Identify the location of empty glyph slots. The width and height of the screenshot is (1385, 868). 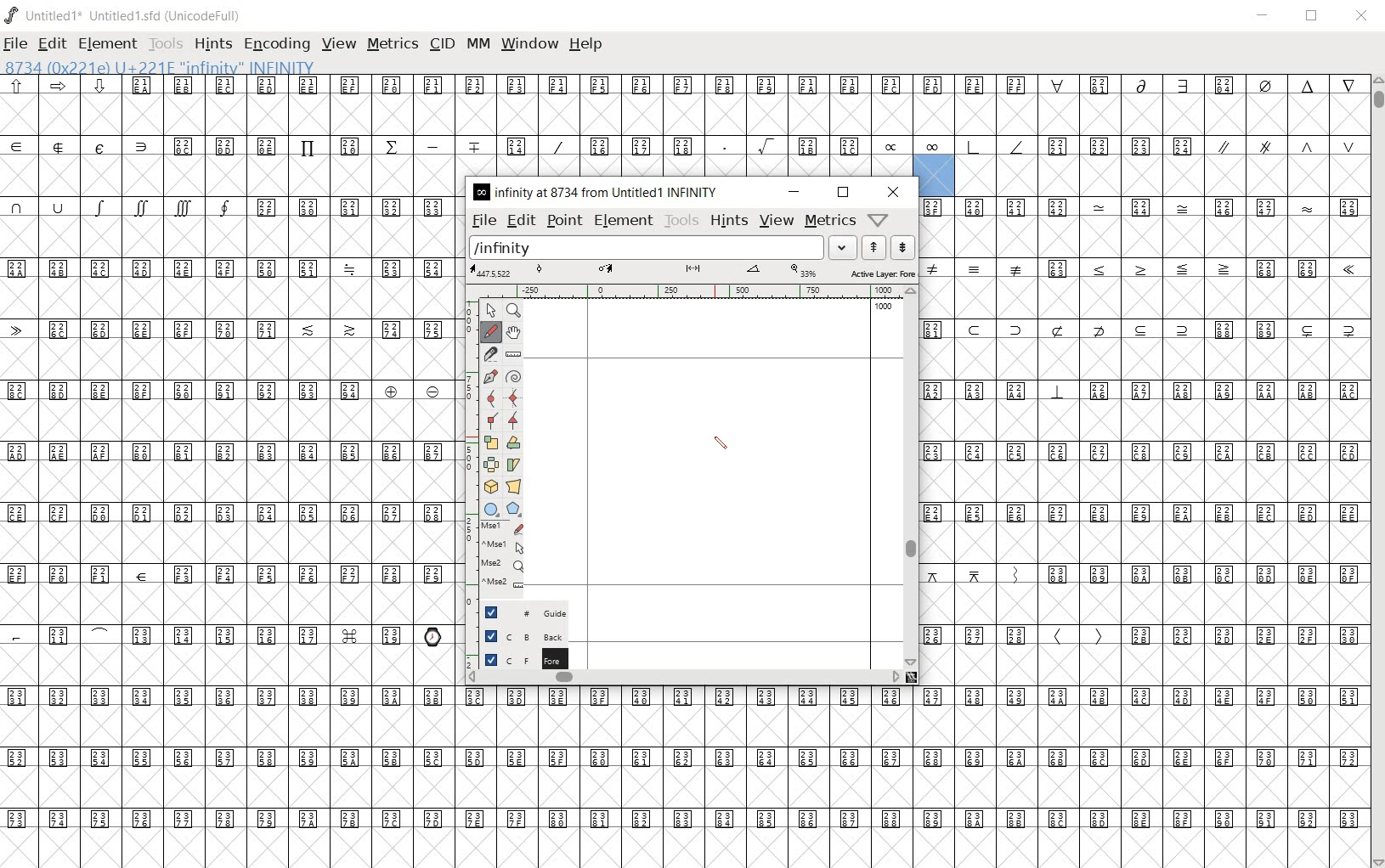
(1149, 483).